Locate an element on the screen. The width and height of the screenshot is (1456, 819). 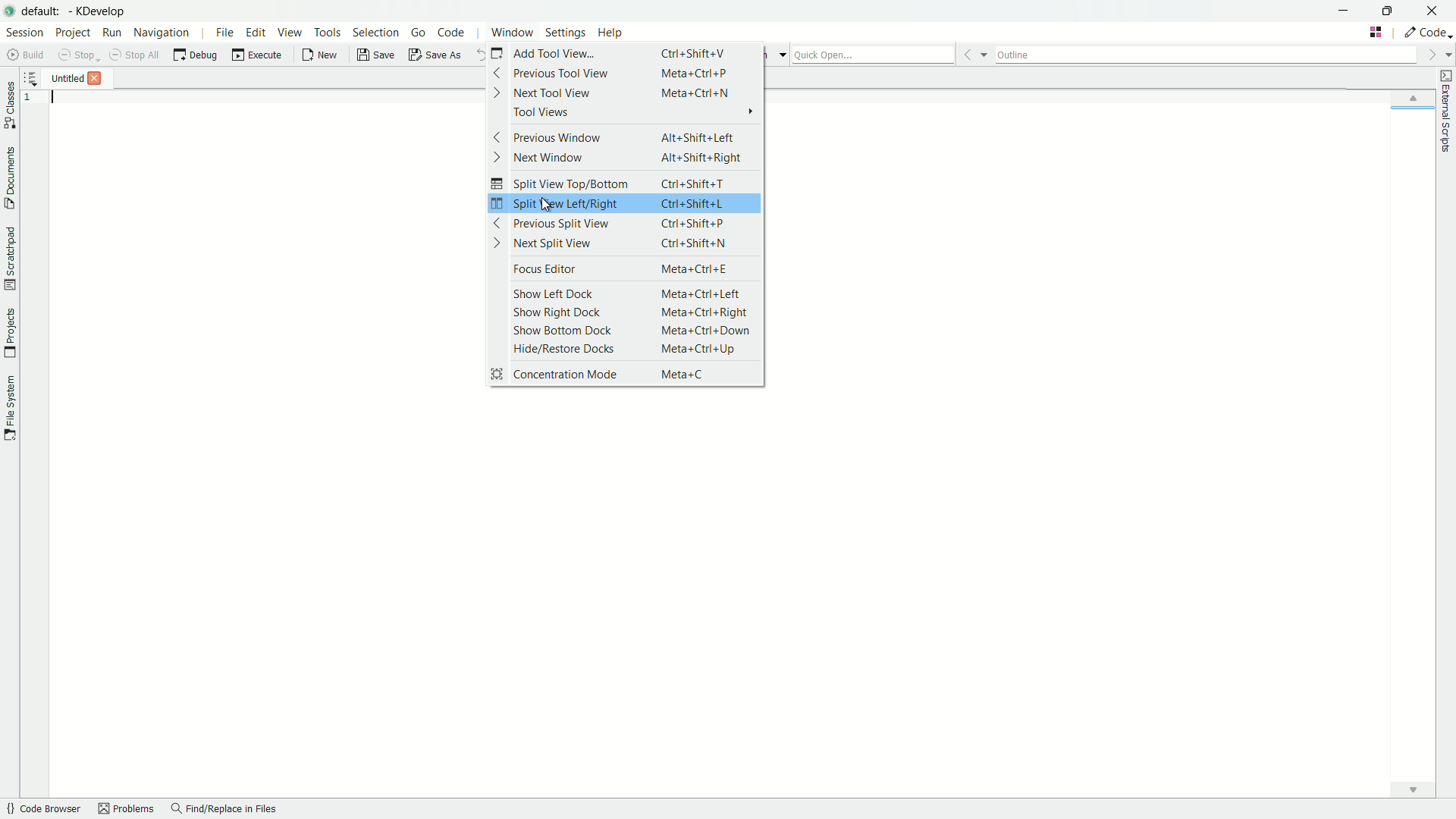
typing cursor is located at coordinates (59, 104).